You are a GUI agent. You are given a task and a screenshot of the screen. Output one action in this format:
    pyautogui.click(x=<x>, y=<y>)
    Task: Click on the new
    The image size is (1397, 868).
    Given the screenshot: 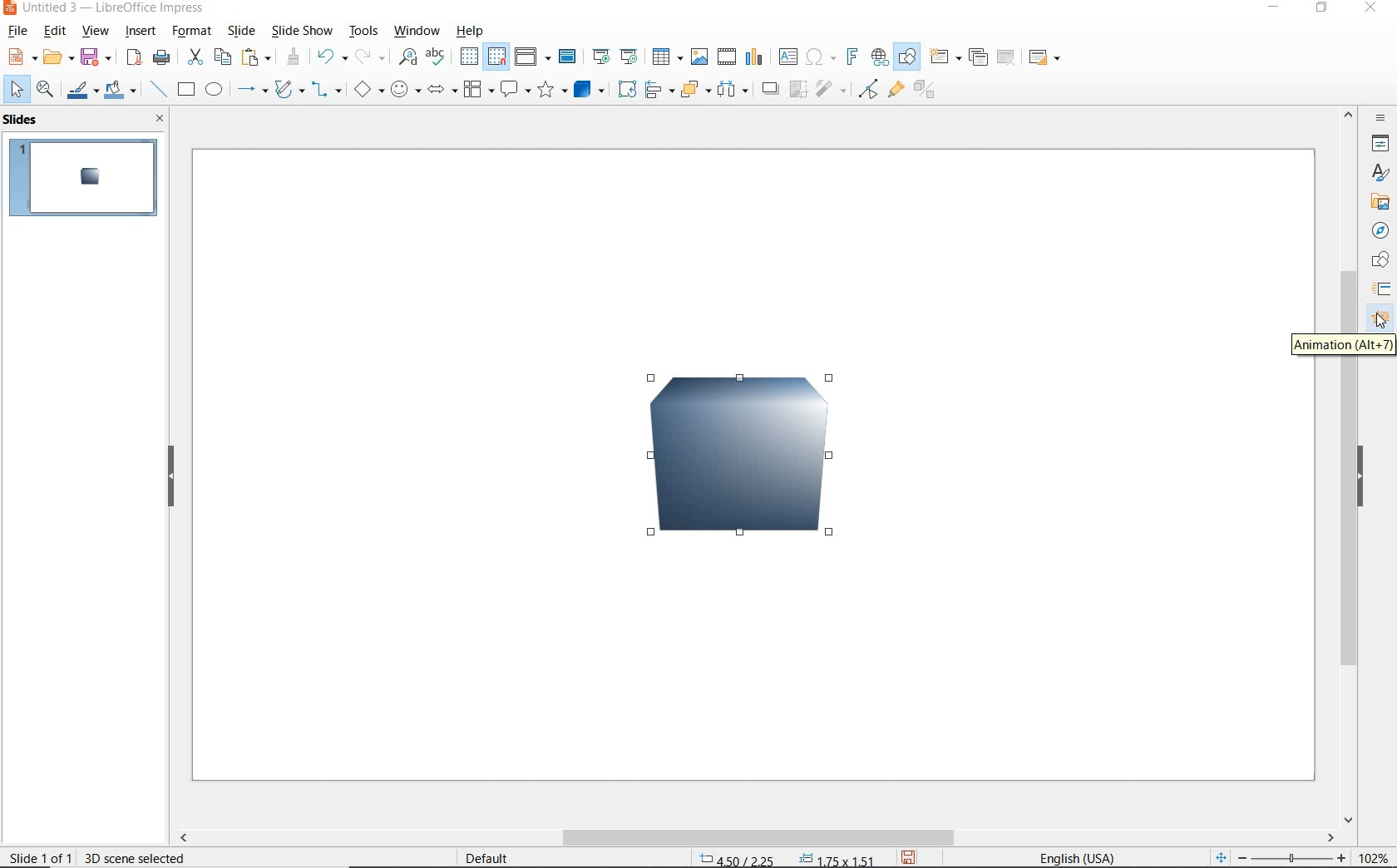 What is the action you would take?
    pyautogui.click(x=22, y=57)
    